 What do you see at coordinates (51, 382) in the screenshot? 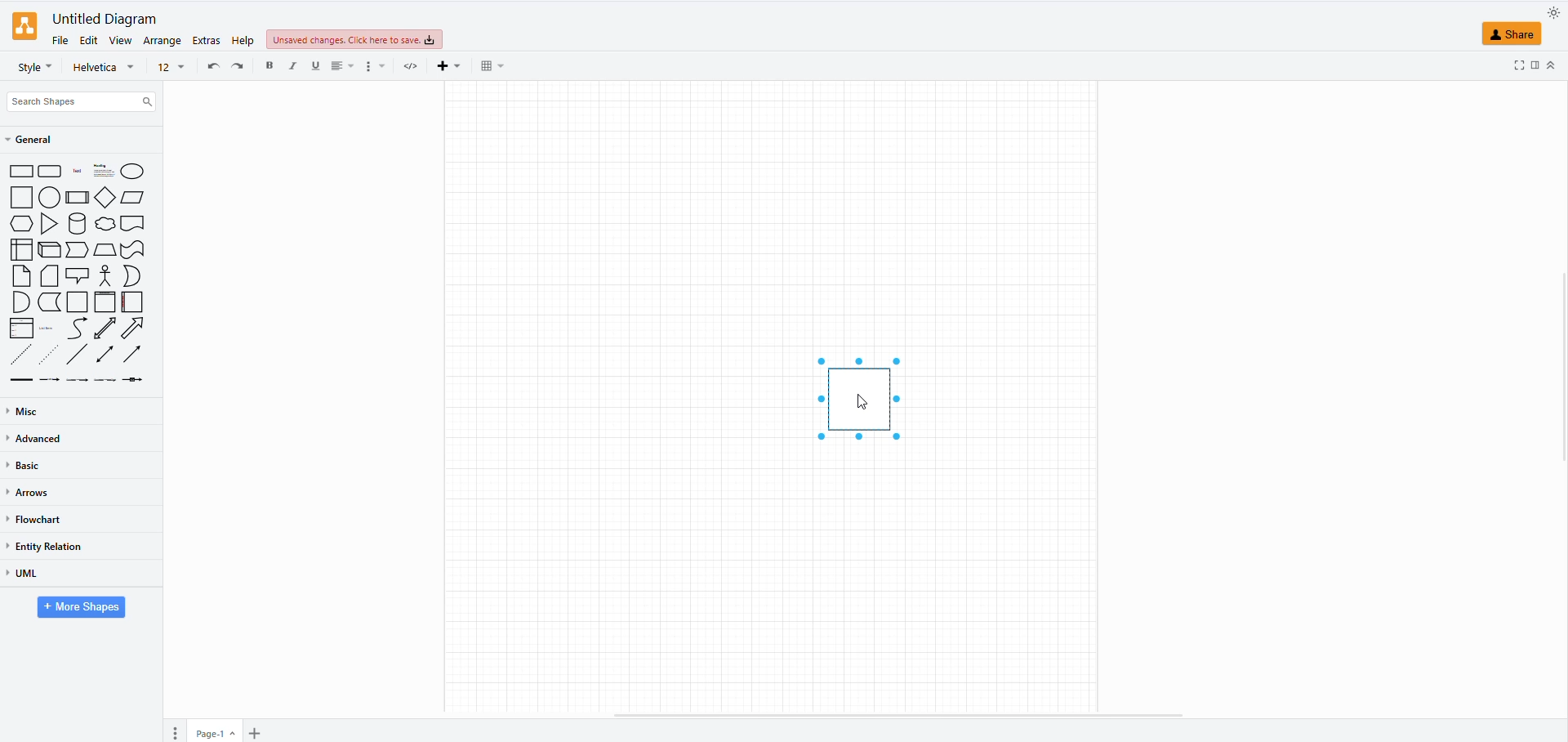
I see `connector with label` at bounding box center [51, 382].